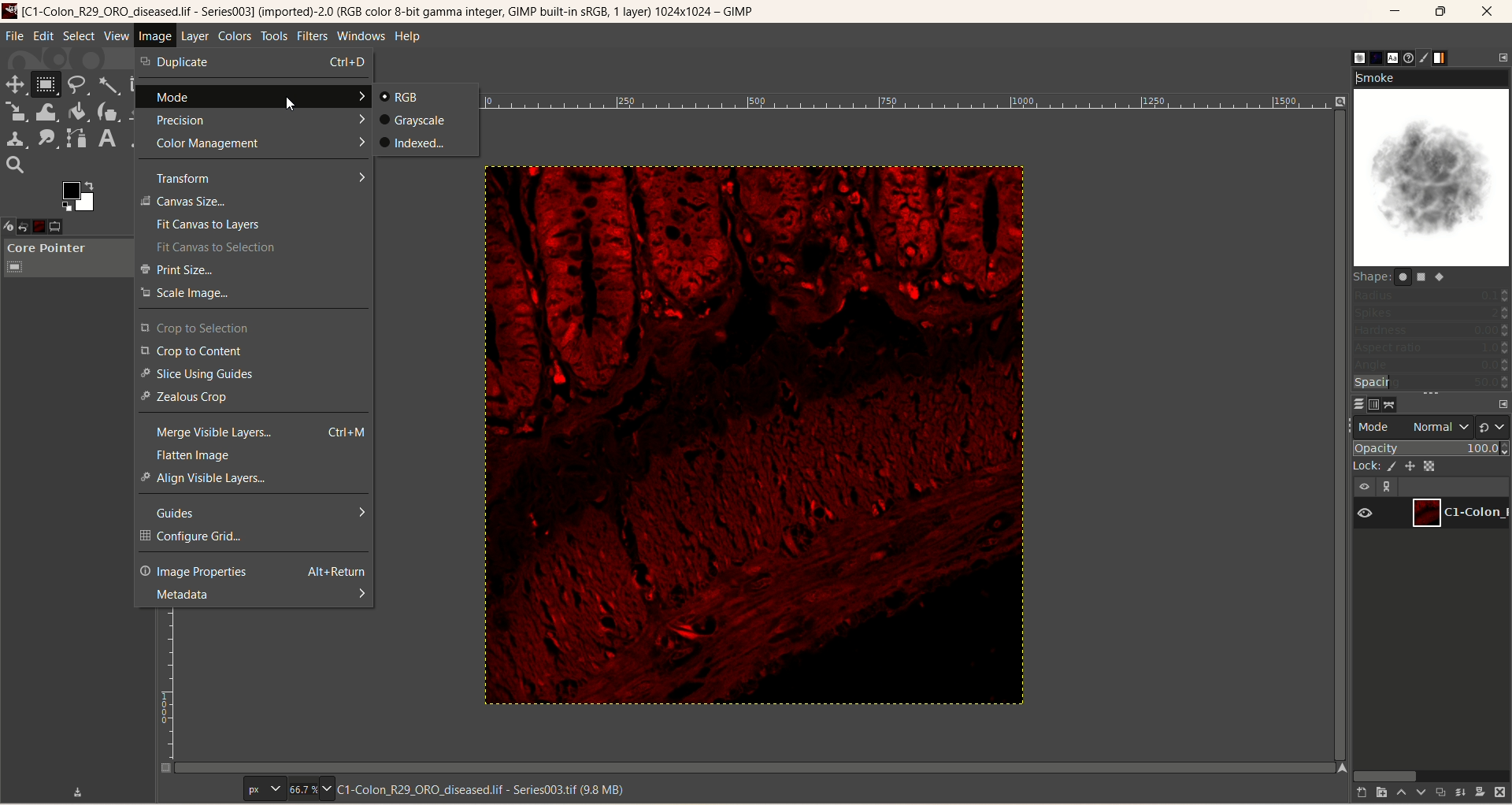  Describe the element at coordinates (1358, 405) in the screenshot. I see `layers` at that location.